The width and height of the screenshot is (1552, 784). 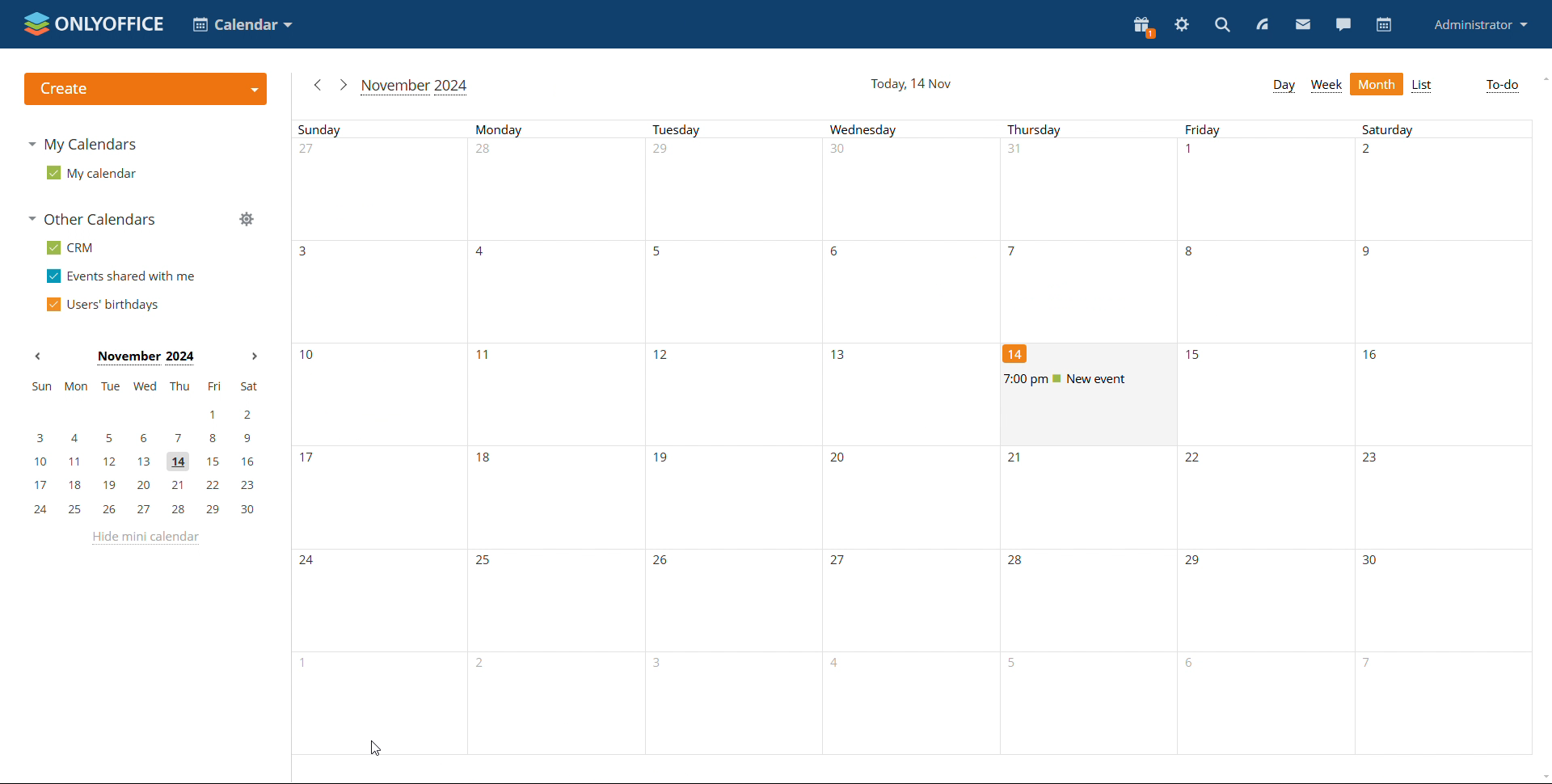 What do you see at coordinates (668, 355) in the screenshot?
I see `number` at bounding box center [668, 355].